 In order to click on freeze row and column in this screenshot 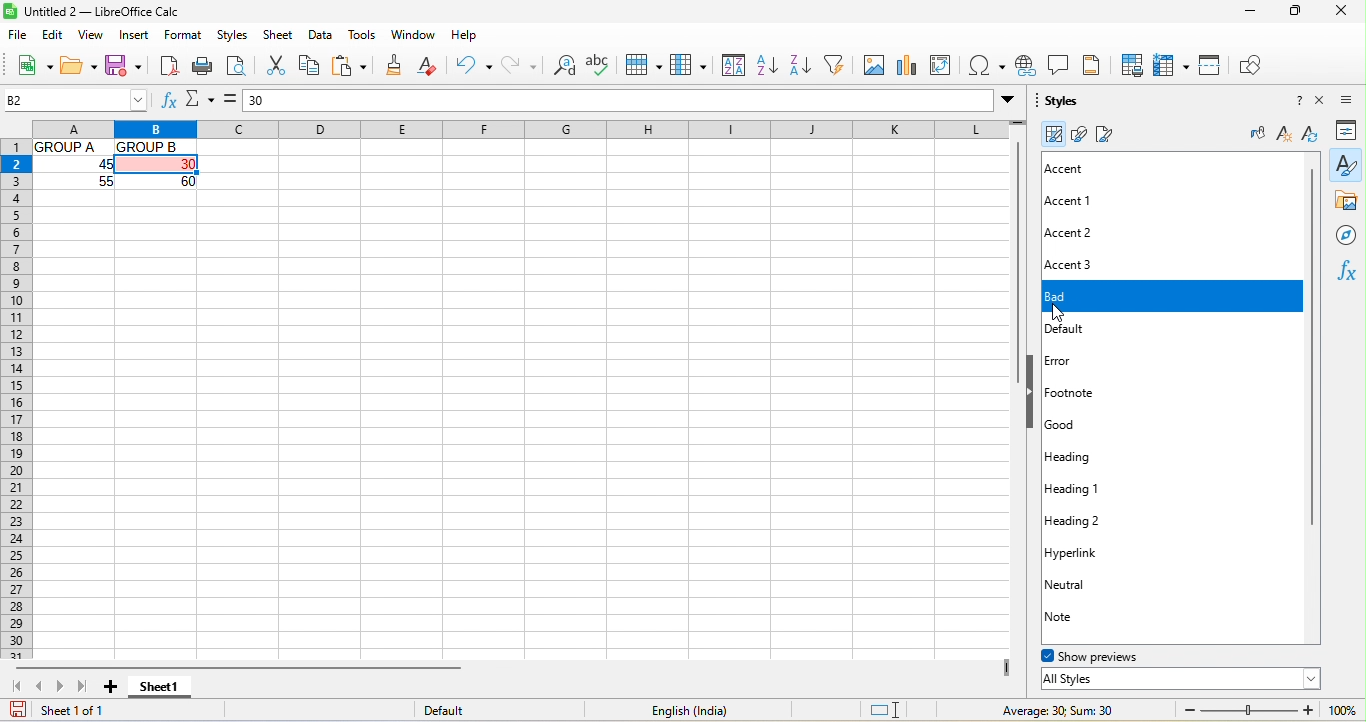, I will do `click(1171, 67)`.